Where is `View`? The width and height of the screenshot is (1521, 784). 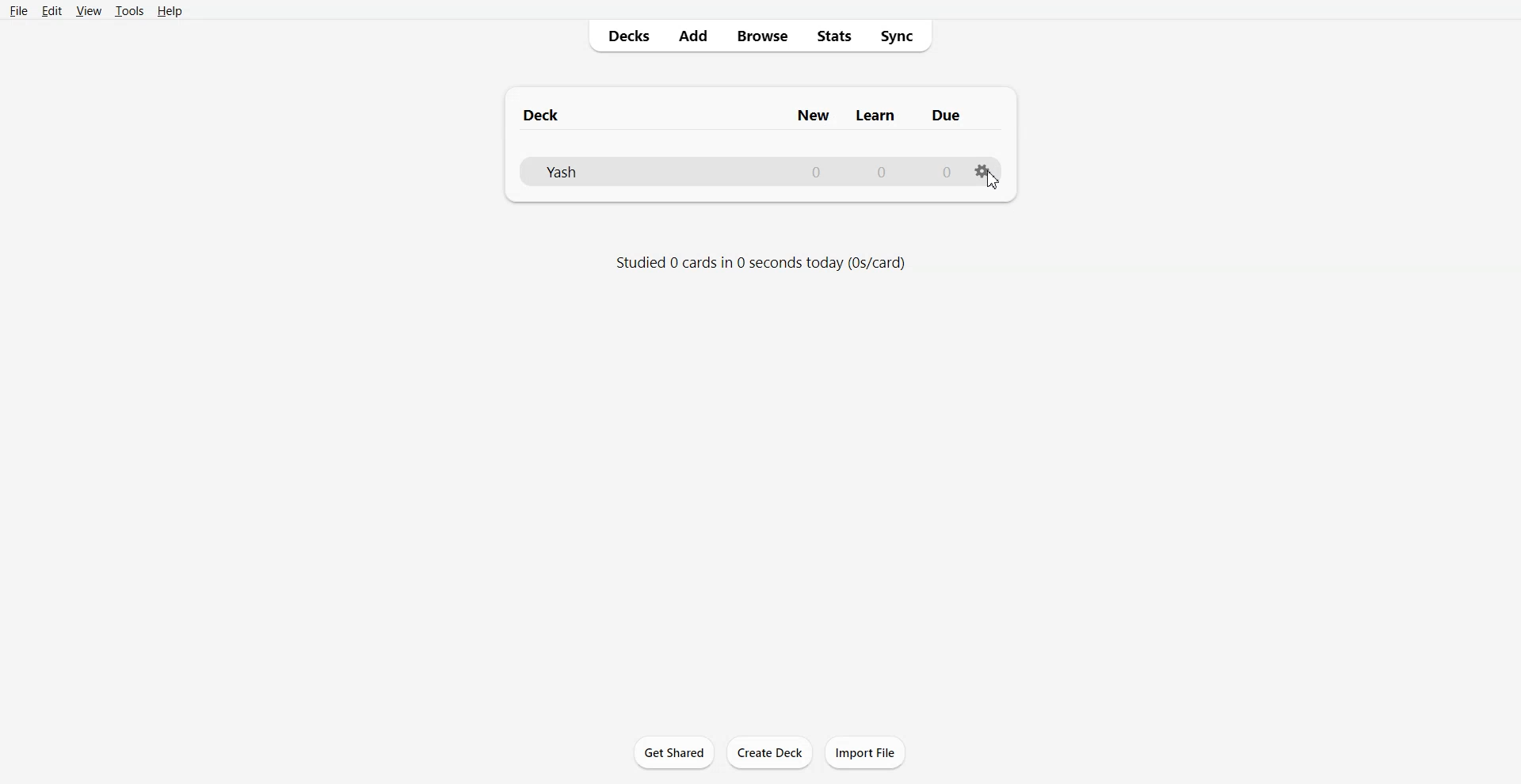
View is located at coordinates (88, 11).